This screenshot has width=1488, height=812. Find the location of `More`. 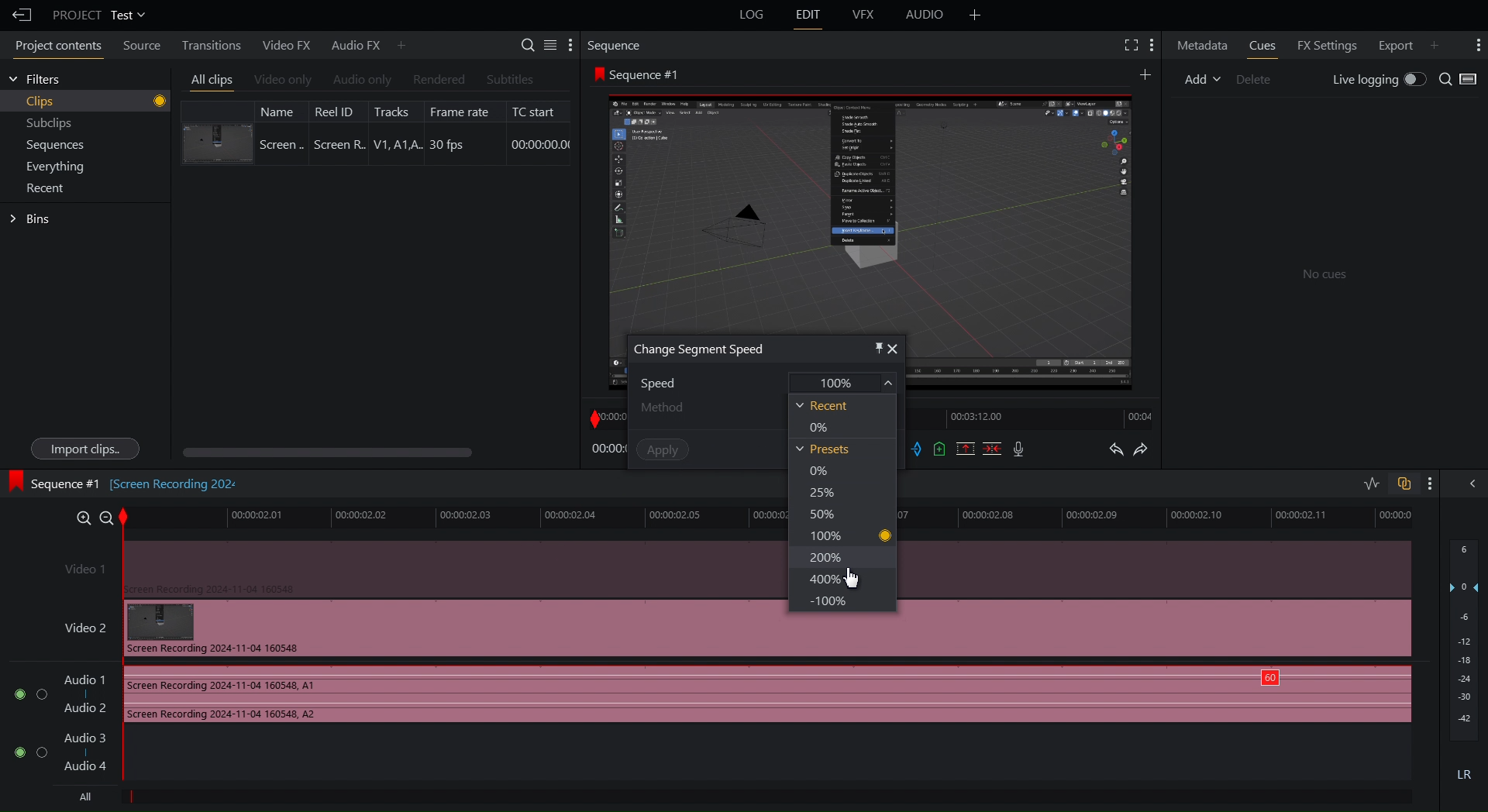

More is located at coordinates (1153, 45).